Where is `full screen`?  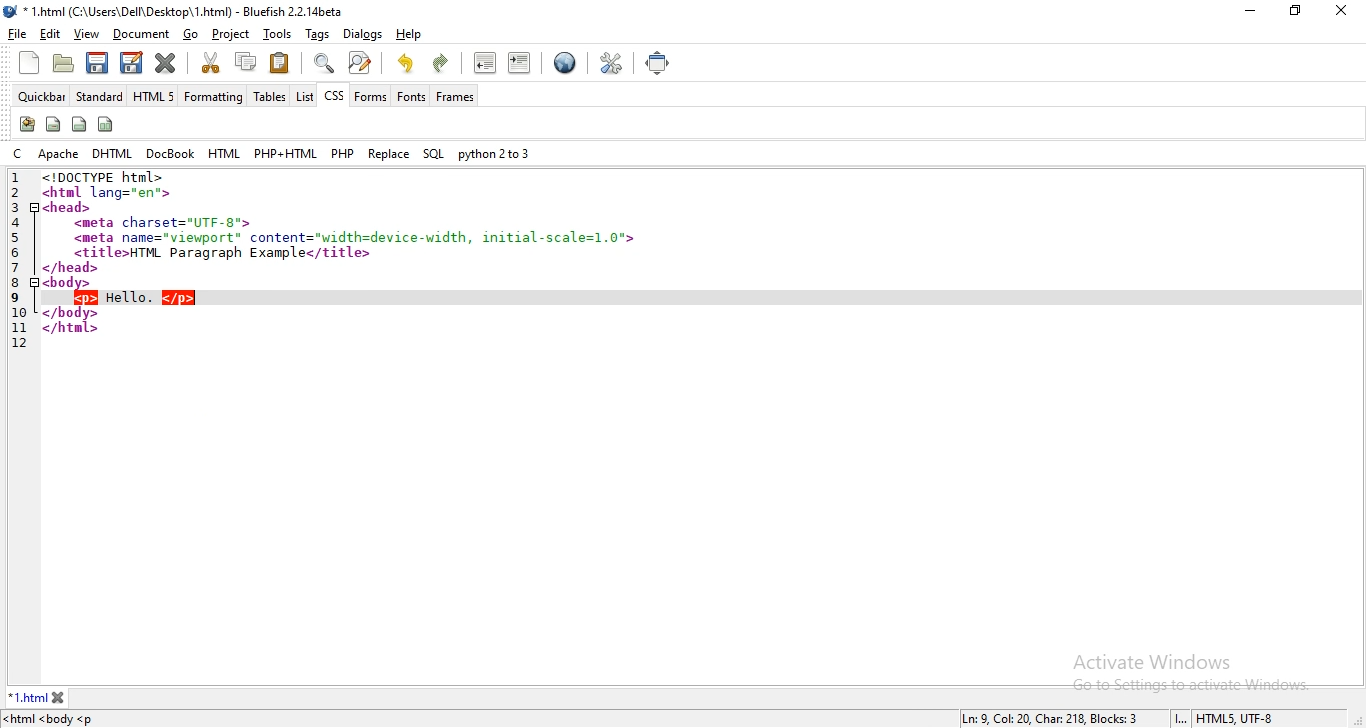 full screen is located at coordinates (659, 61).